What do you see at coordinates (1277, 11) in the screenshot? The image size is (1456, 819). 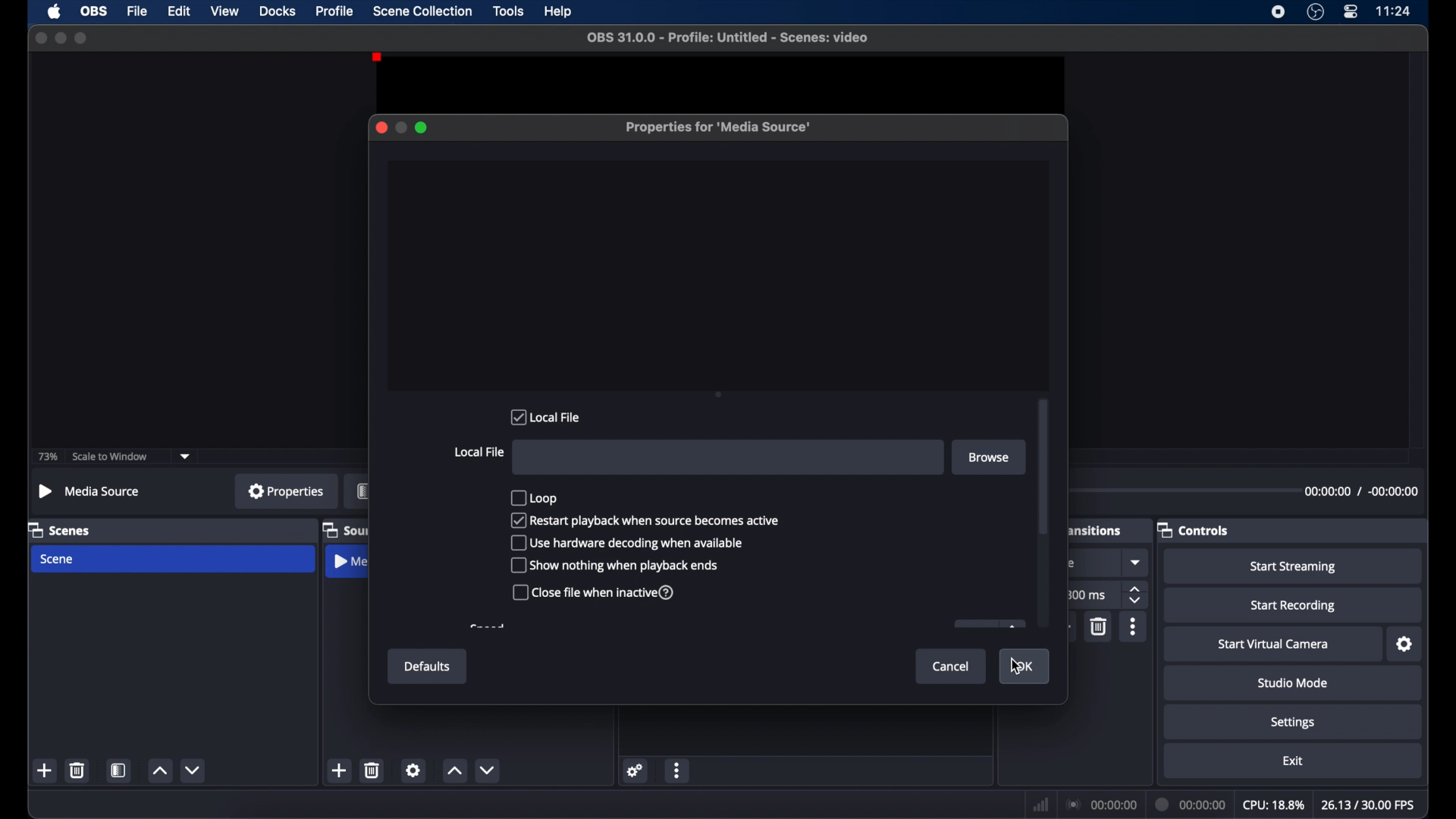 I see `screen recorder icon` at bounding box center [1277, 11].